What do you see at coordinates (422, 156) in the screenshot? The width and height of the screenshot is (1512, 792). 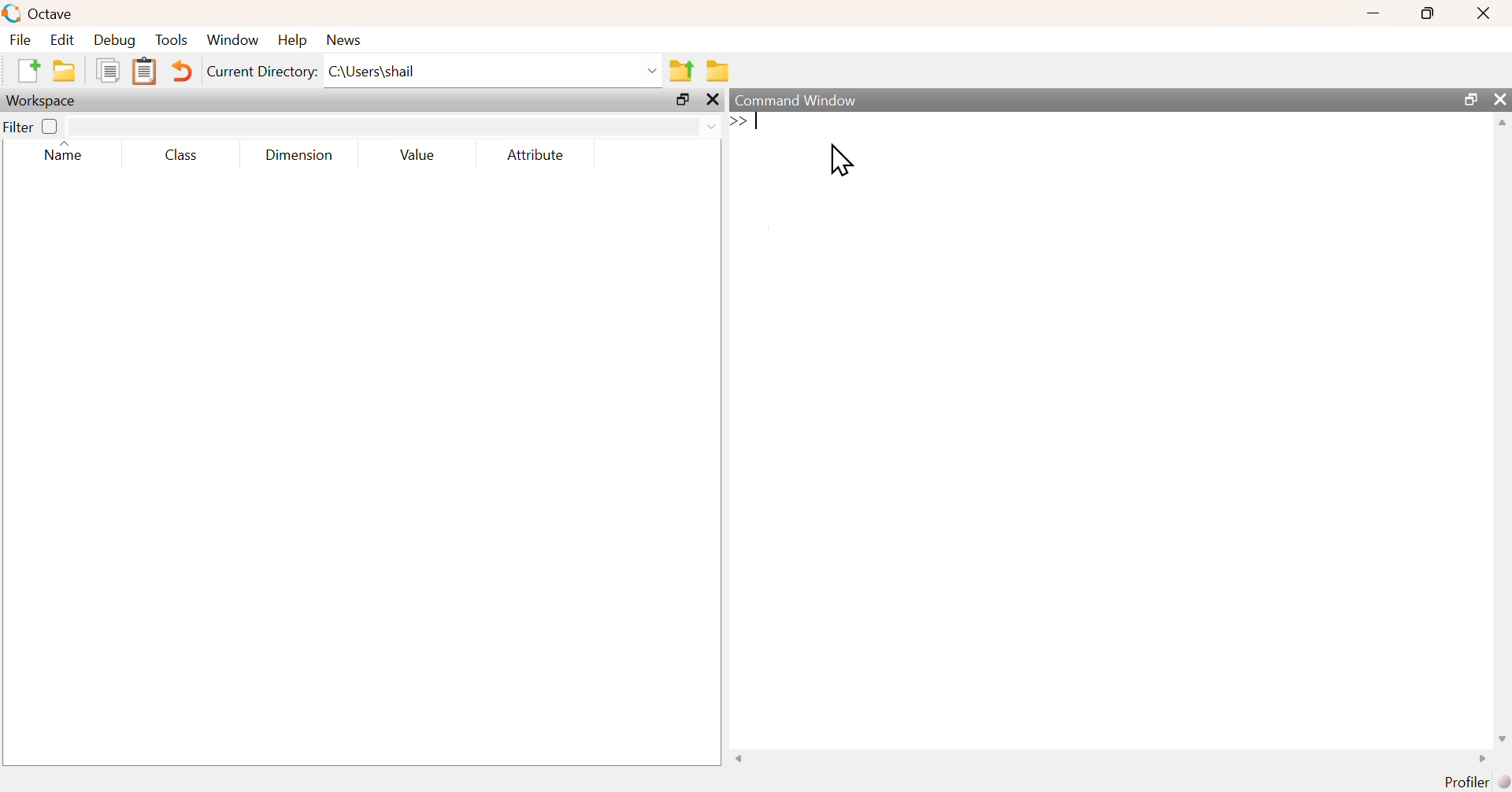 I see `Value` at bounding box center [422, 156].